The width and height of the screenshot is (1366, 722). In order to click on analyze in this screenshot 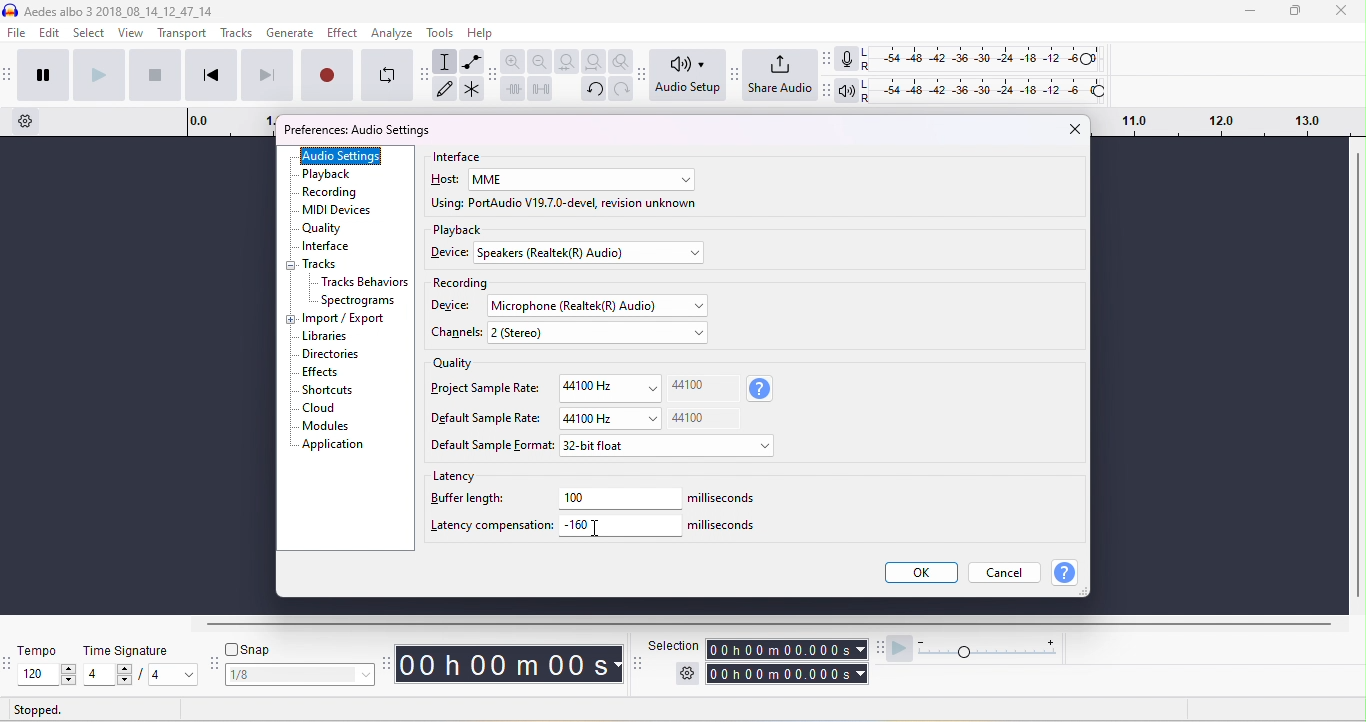, I will do `click(392, 32)`.